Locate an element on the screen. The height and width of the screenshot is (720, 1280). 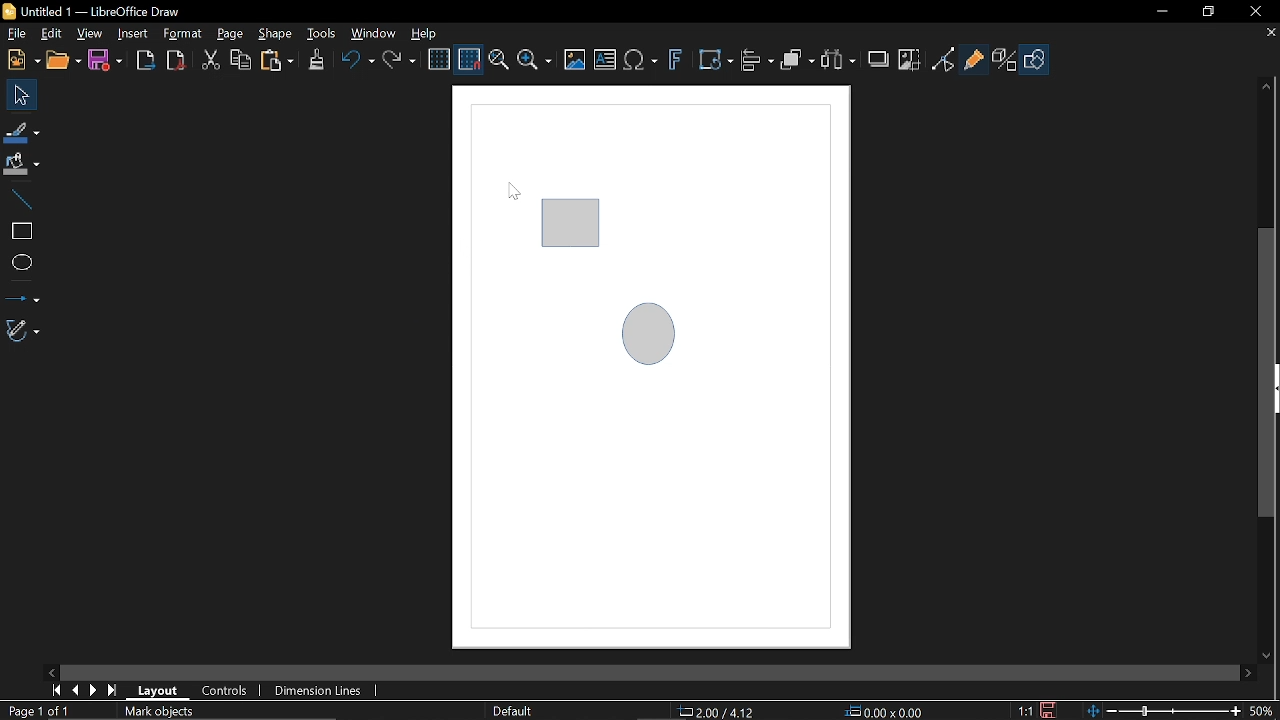
Curves and polygons is located at coordinates (20, 329).